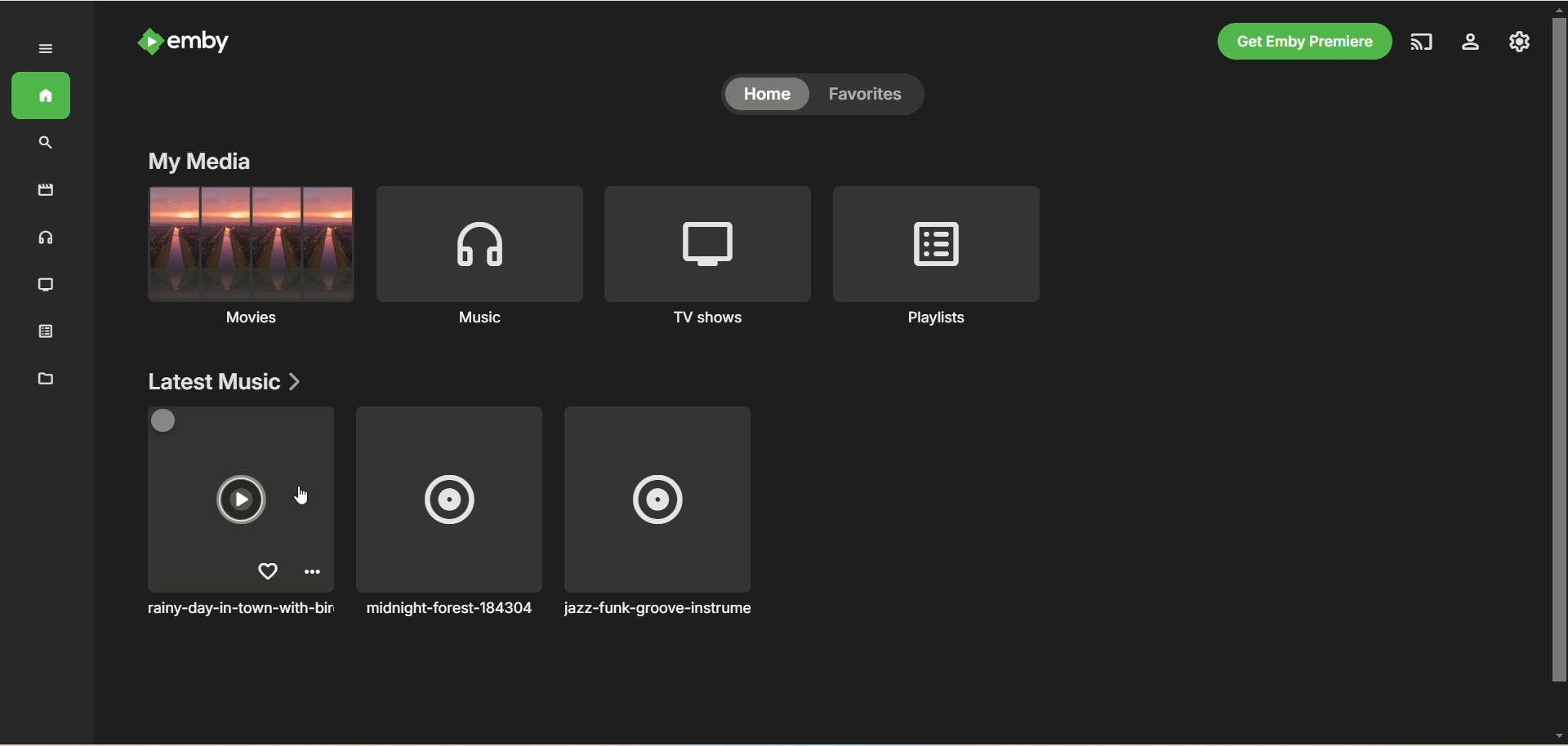 The height and width of the screenshot is (746, 1568). Describe the element at coordinates (448, 511) in the screenshot. I see `) midnight-forest-184304` at that location.